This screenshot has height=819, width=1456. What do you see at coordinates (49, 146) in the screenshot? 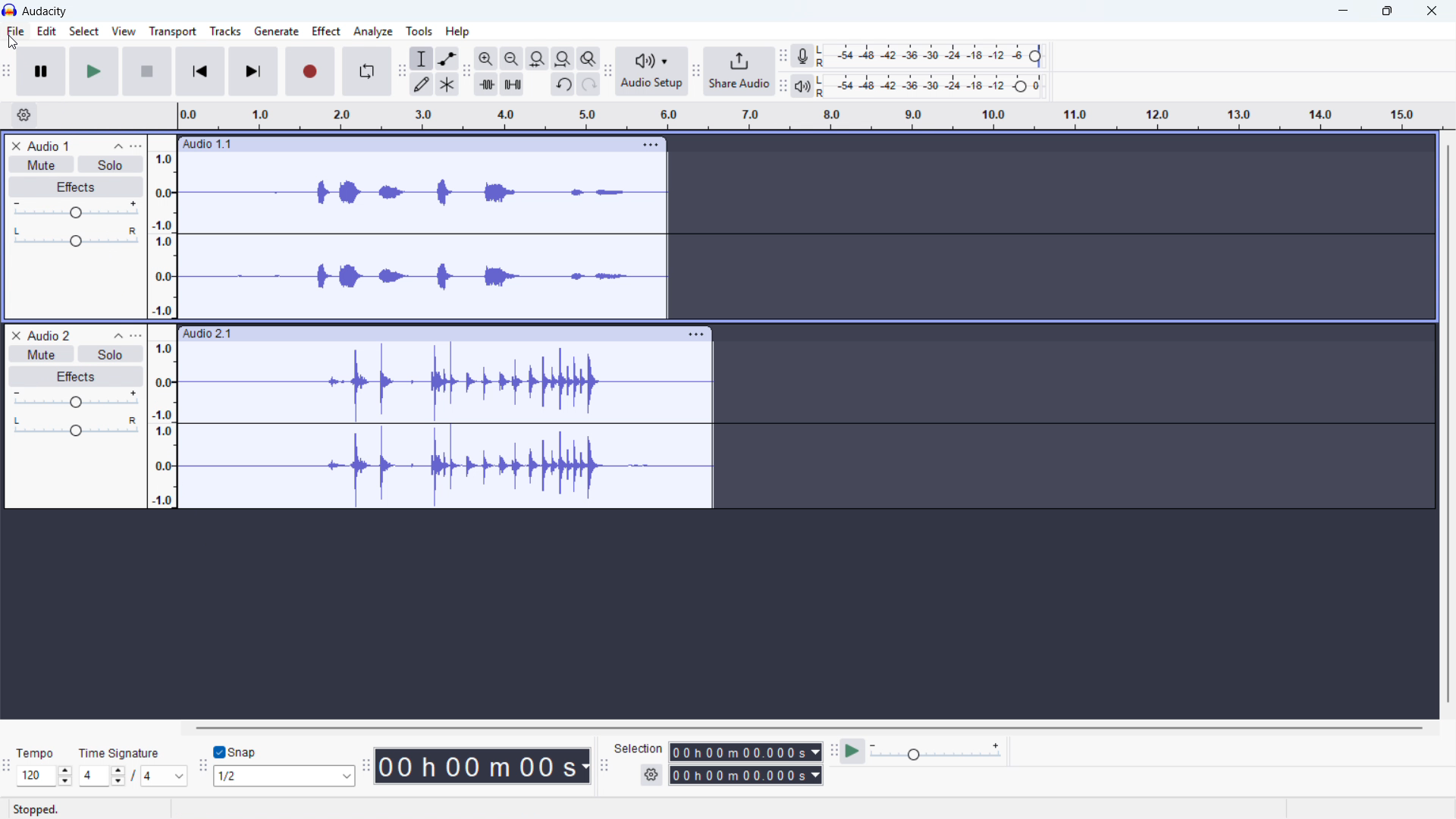
I see `Audio 1` at bounding box center [49, 146].